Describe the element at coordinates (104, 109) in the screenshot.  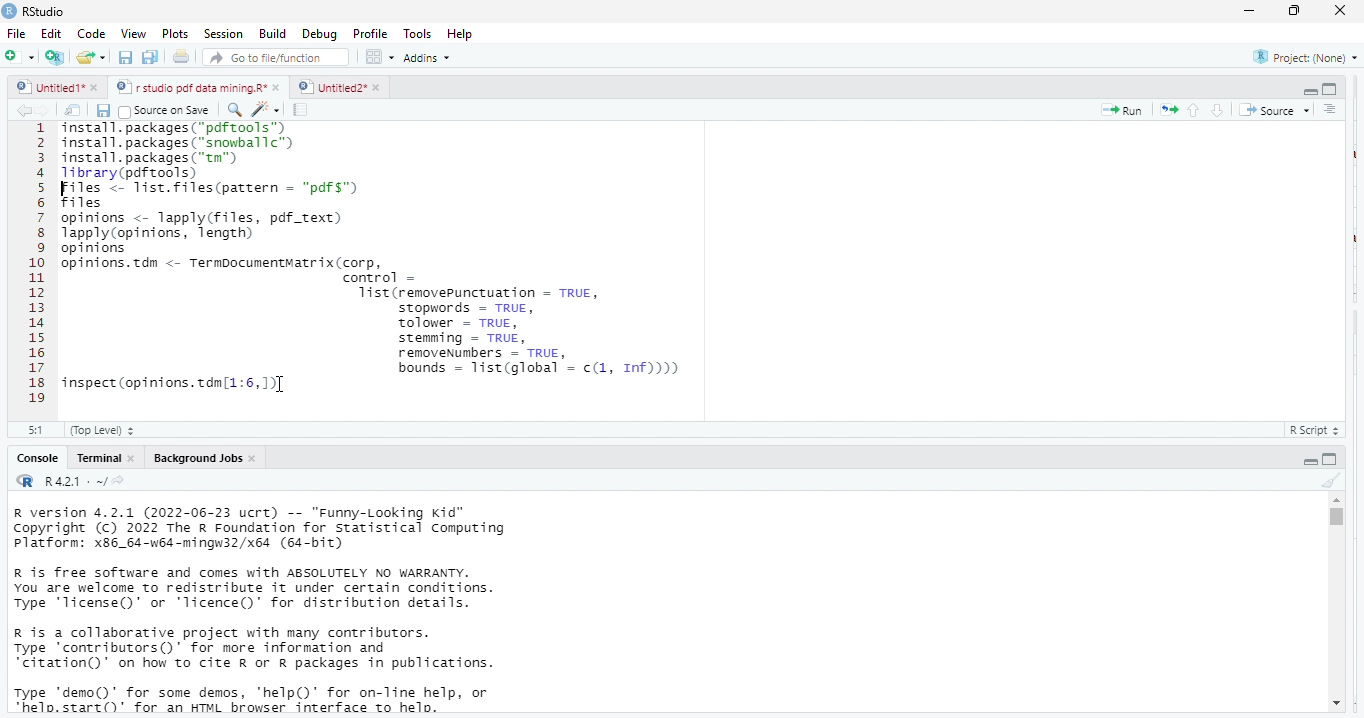
I see `save current` at that location.